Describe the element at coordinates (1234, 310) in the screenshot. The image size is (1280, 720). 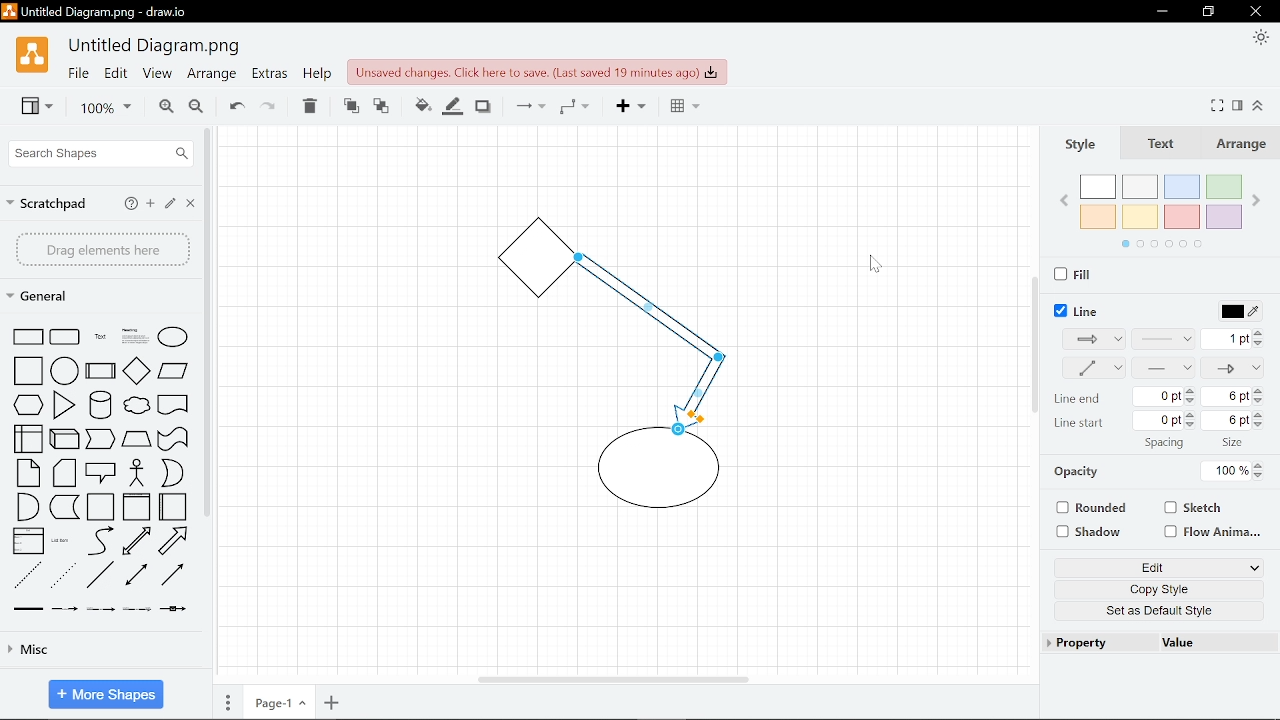
I see `color picker` at that location.